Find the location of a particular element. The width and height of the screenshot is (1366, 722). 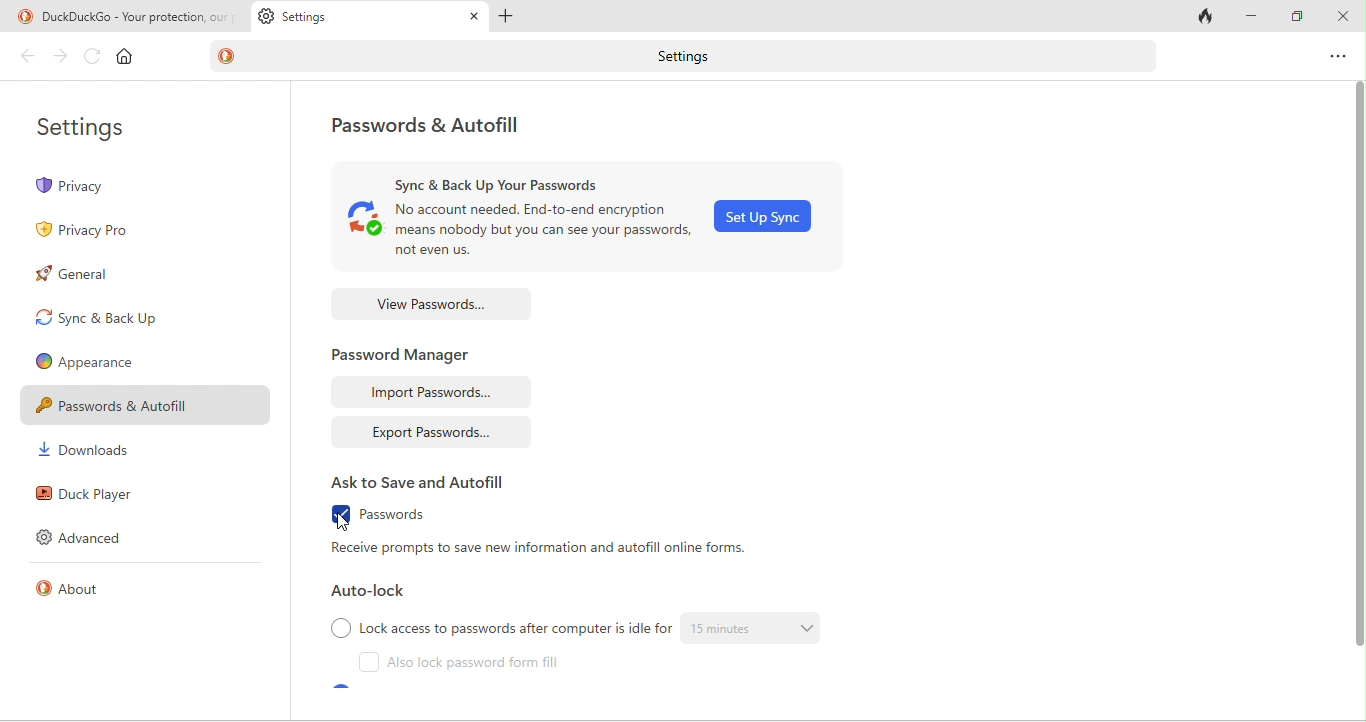

15 min is located at coordinates (759, 628).